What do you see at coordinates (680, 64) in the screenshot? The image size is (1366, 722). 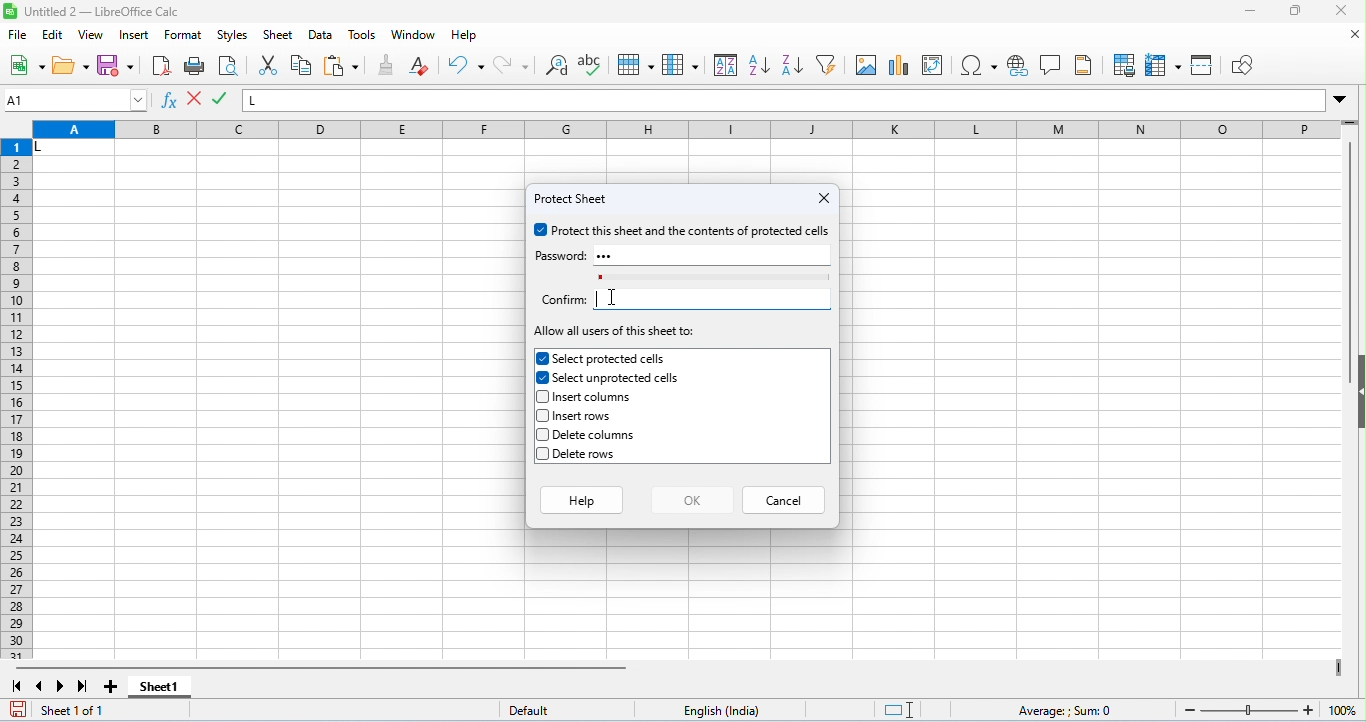 I see `column` at bounding box center [680, 64].